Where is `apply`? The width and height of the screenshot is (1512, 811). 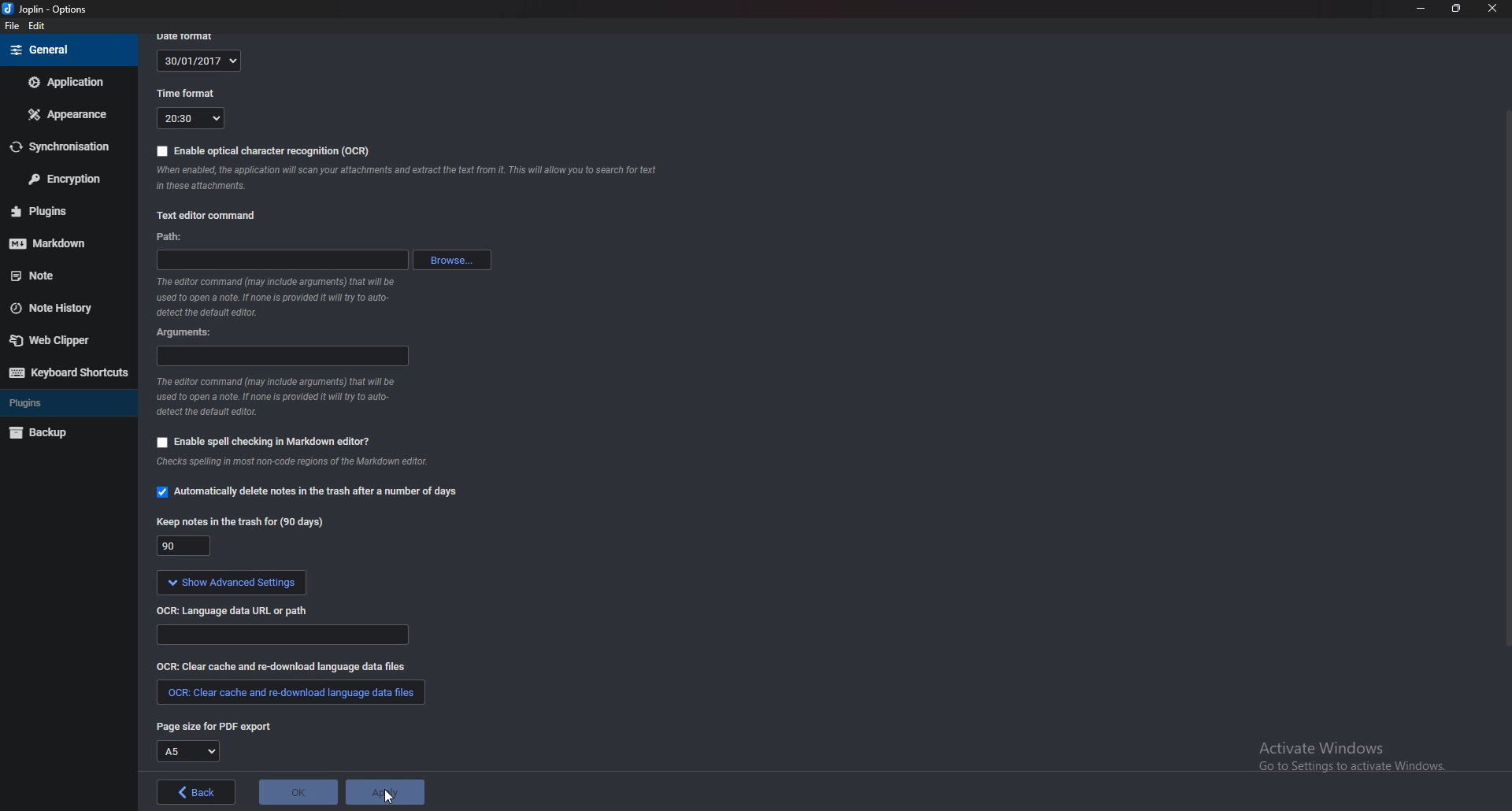
apply is located at coordinates (384, 792).